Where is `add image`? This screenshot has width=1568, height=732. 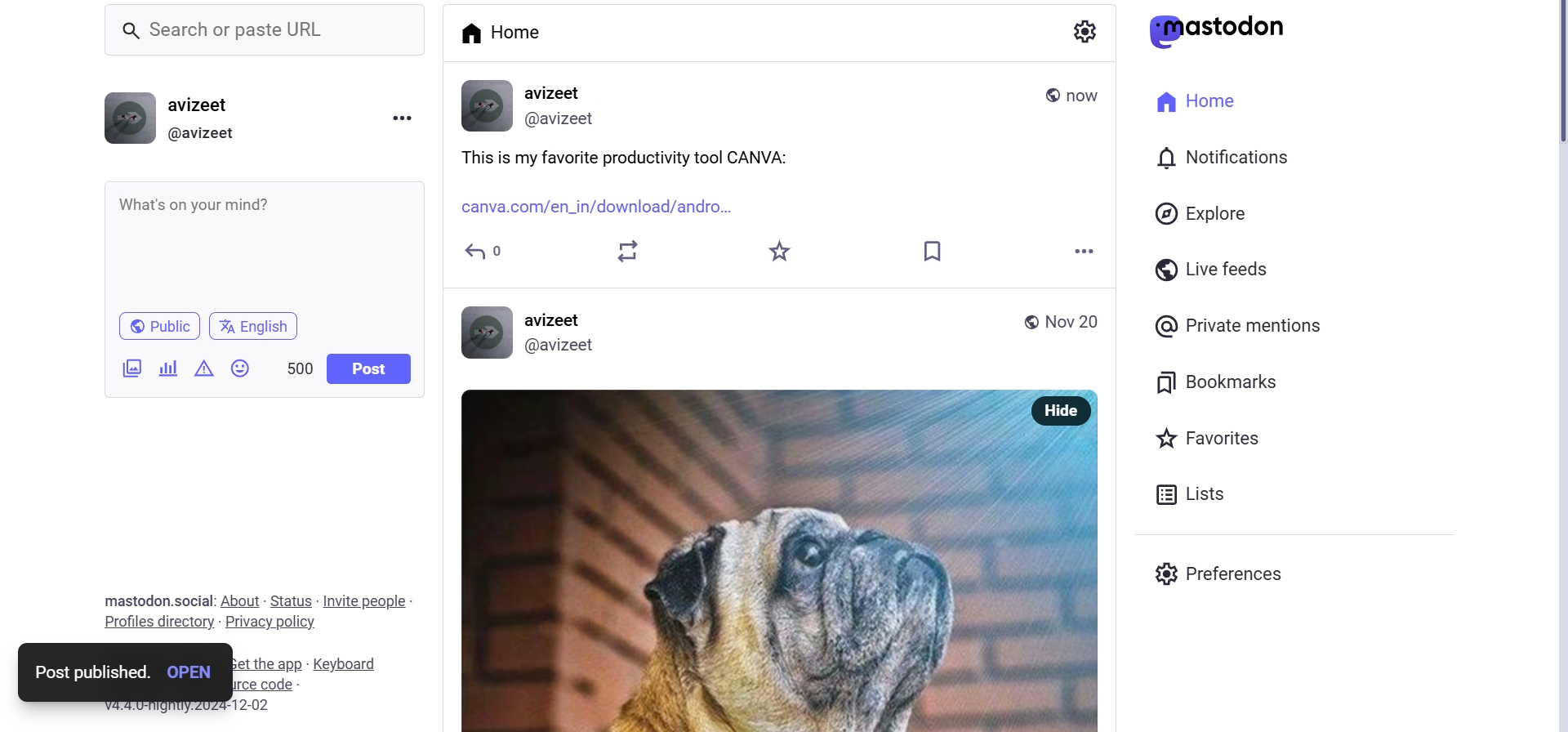 add image is located at coordinates (126, 368).